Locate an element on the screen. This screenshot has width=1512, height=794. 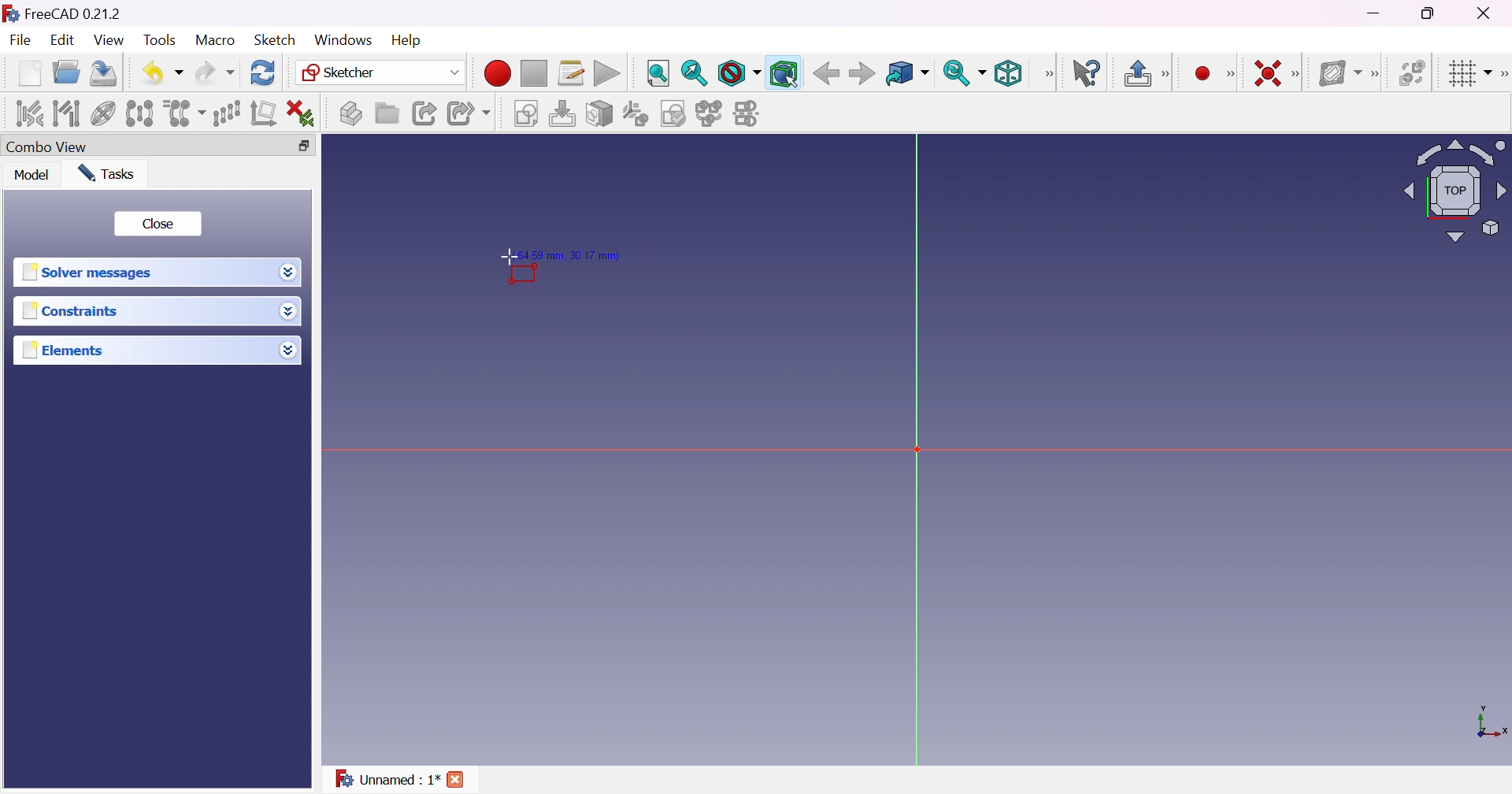
Solver message is located at coordinates (91, 273).